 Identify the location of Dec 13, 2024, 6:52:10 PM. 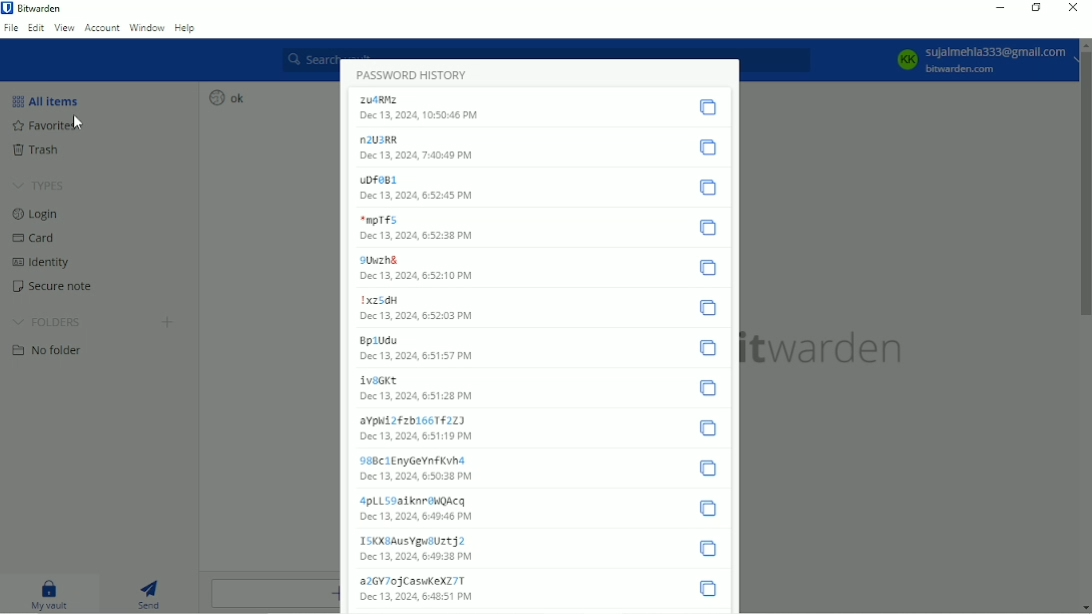
(418, 279).